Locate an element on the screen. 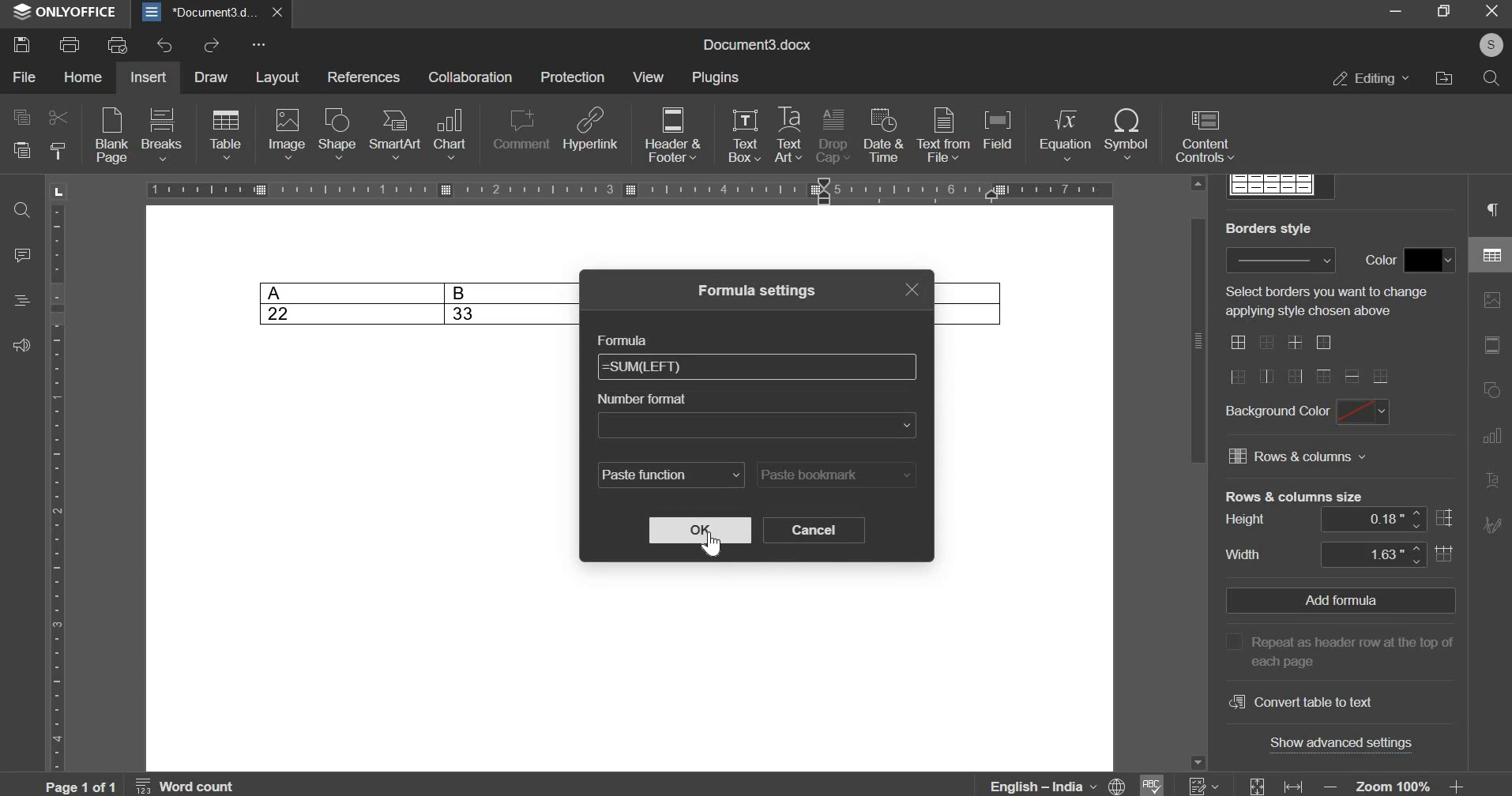 The image size is (1512, 796). close is located at coordinates (277, 13).